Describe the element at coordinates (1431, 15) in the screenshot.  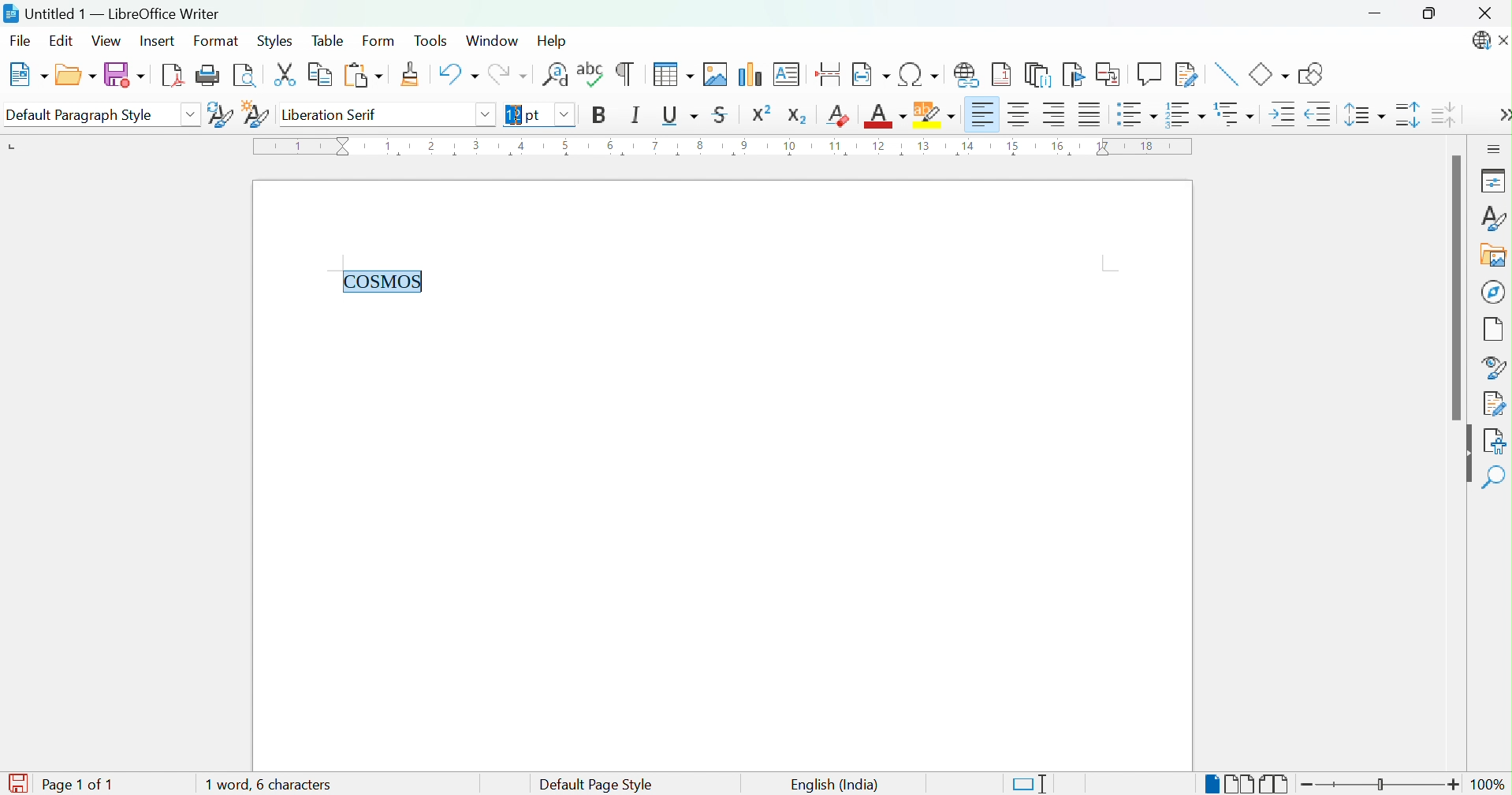
I see `Restore down` at that location.